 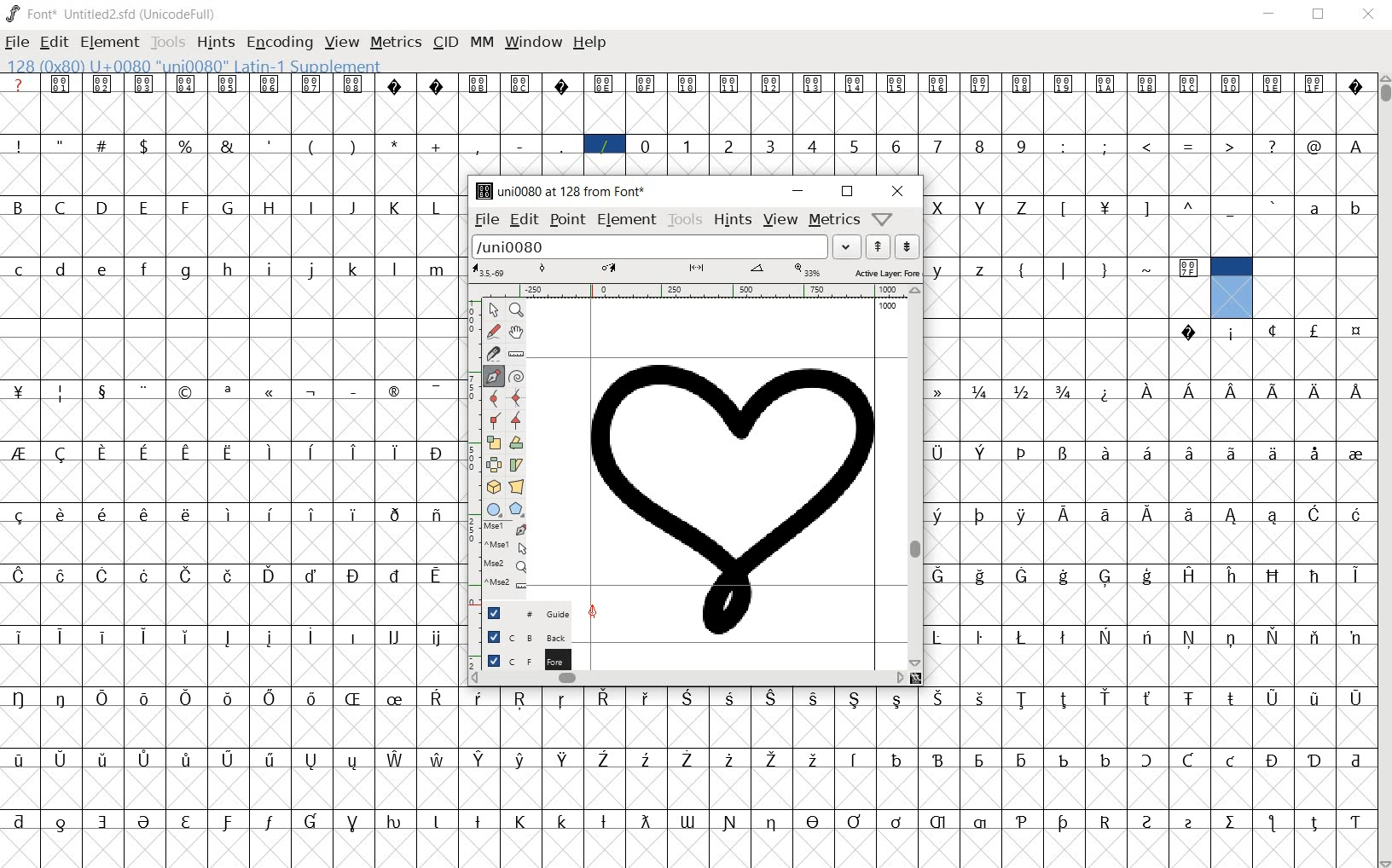 What do you see at coordinates (728, 85) in the screenshot?
I see `glyph` at bounding box center [728, 85].